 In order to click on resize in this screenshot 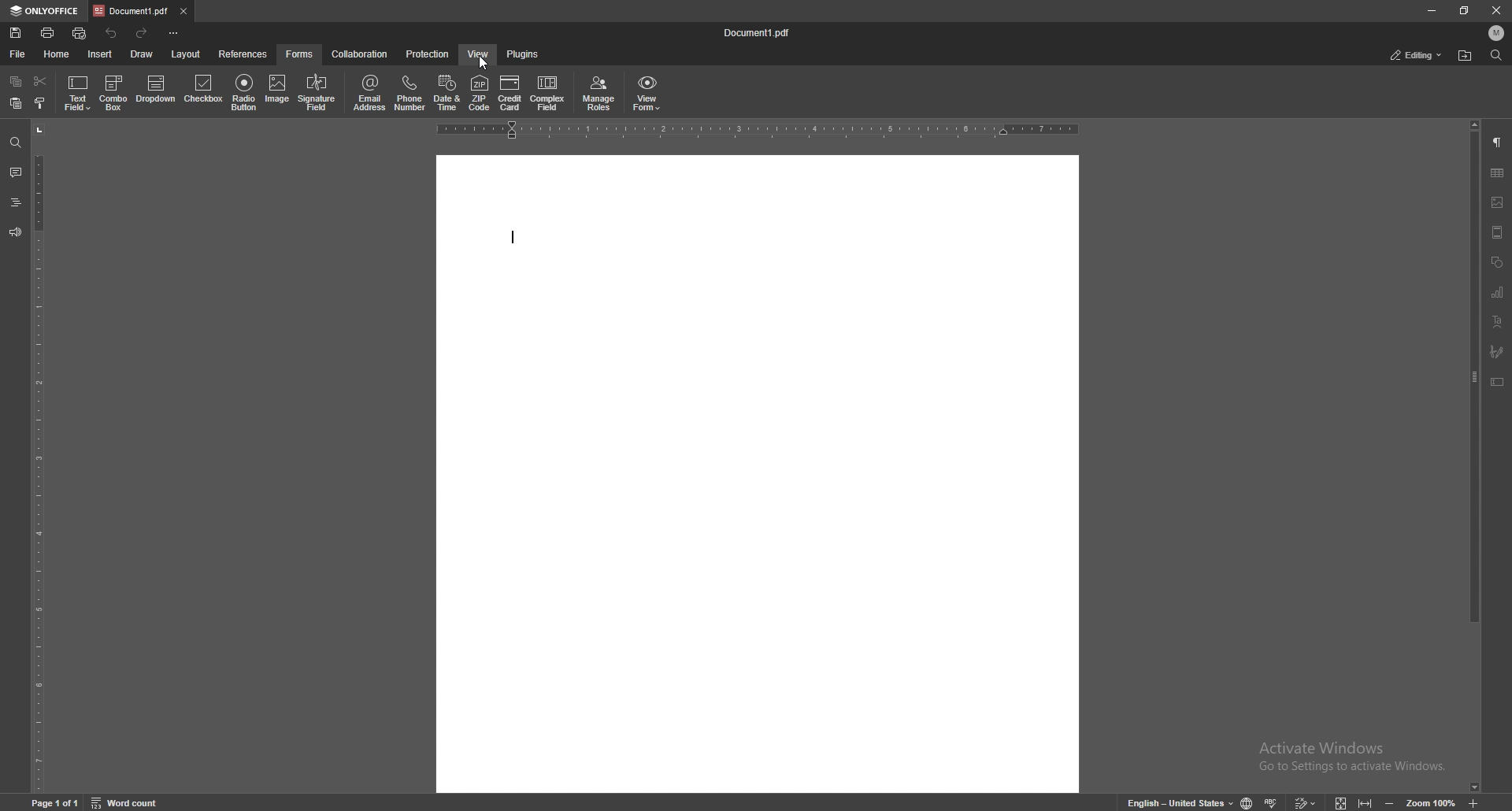, I will do `click(1464, 11)`.